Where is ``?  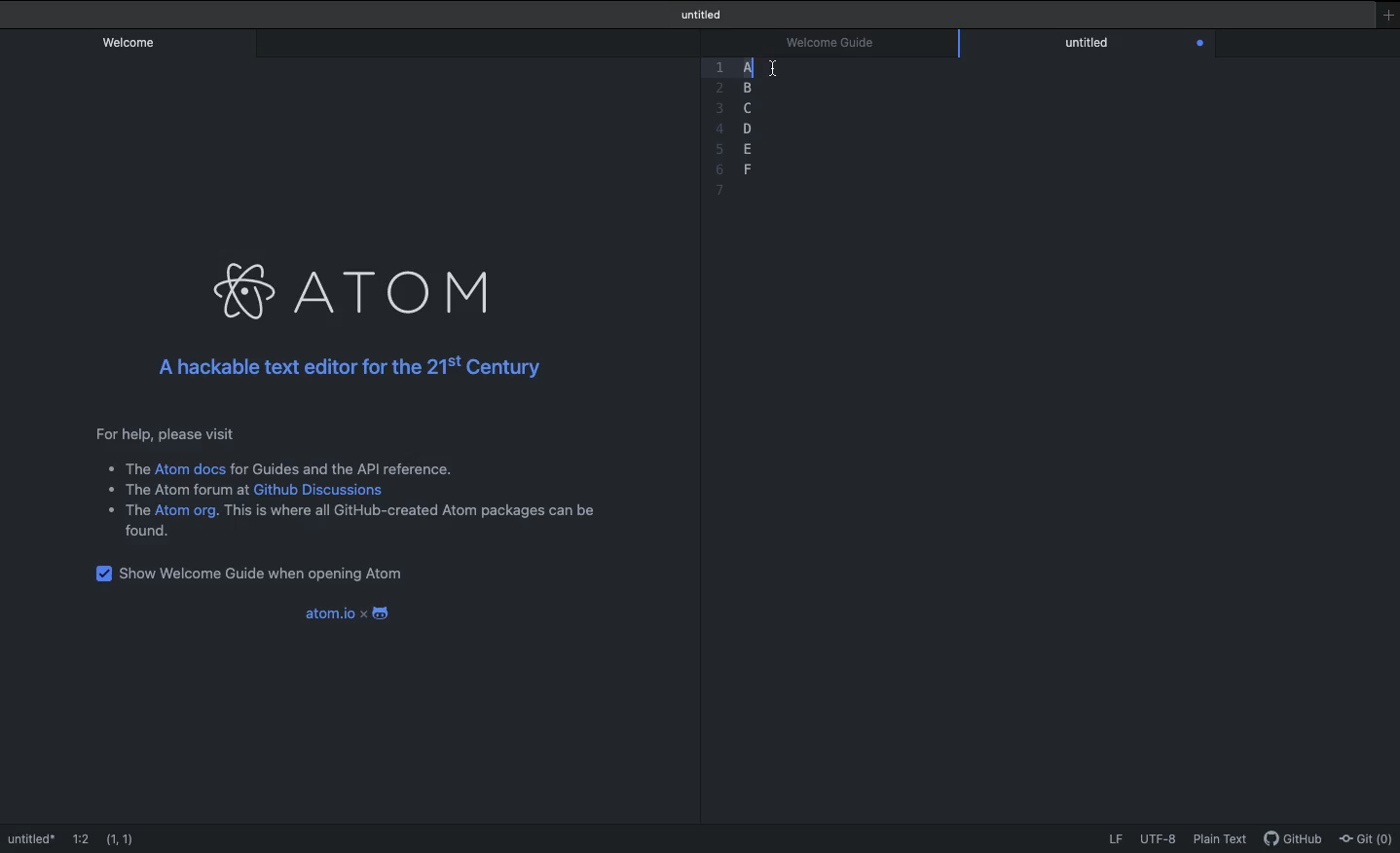
 is located at coordinates (716, 89).